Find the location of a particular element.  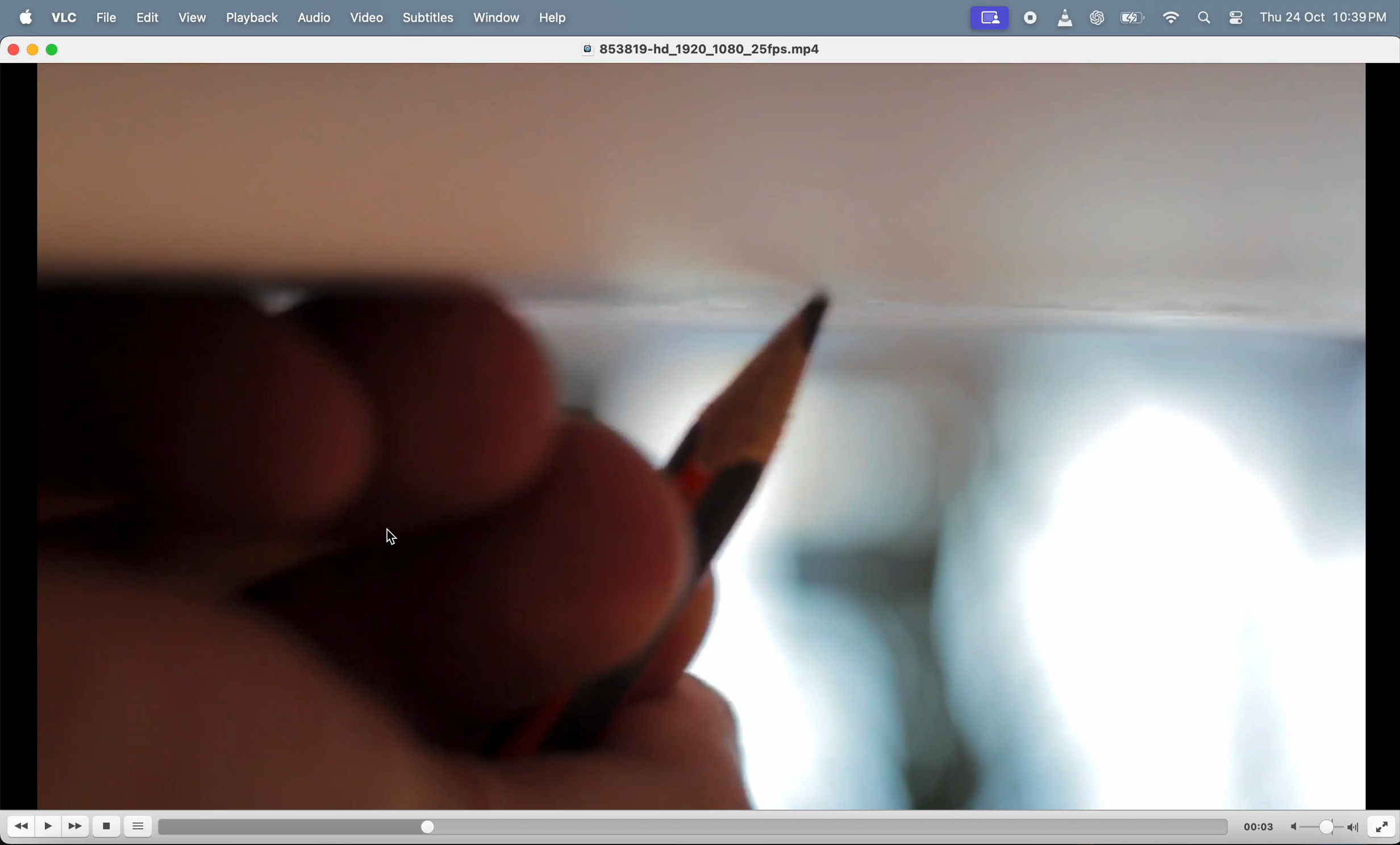

Apple menu is located at coordinates (27, 18).